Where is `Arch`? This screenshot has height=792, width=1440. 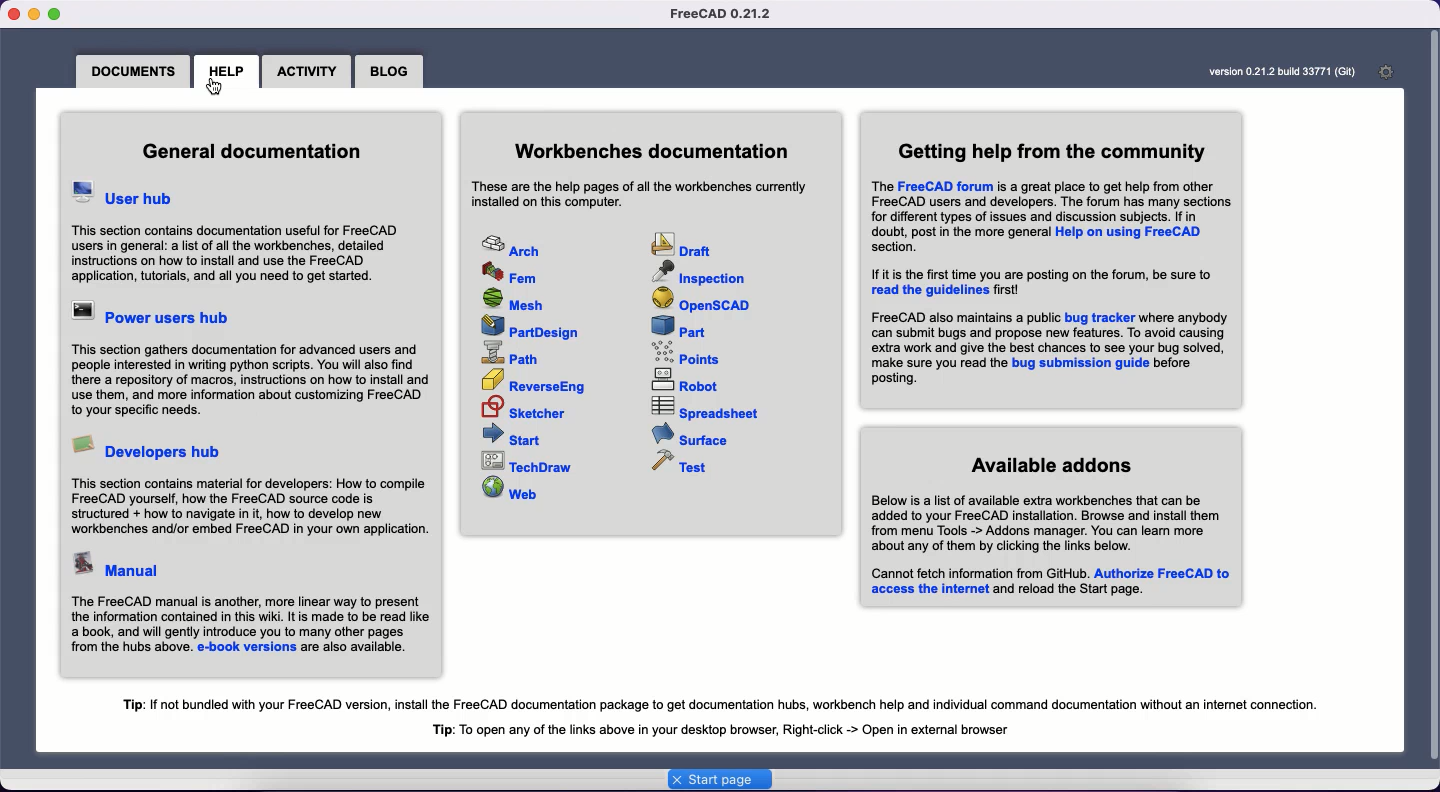 Arch is located at coordinates (512, 244).